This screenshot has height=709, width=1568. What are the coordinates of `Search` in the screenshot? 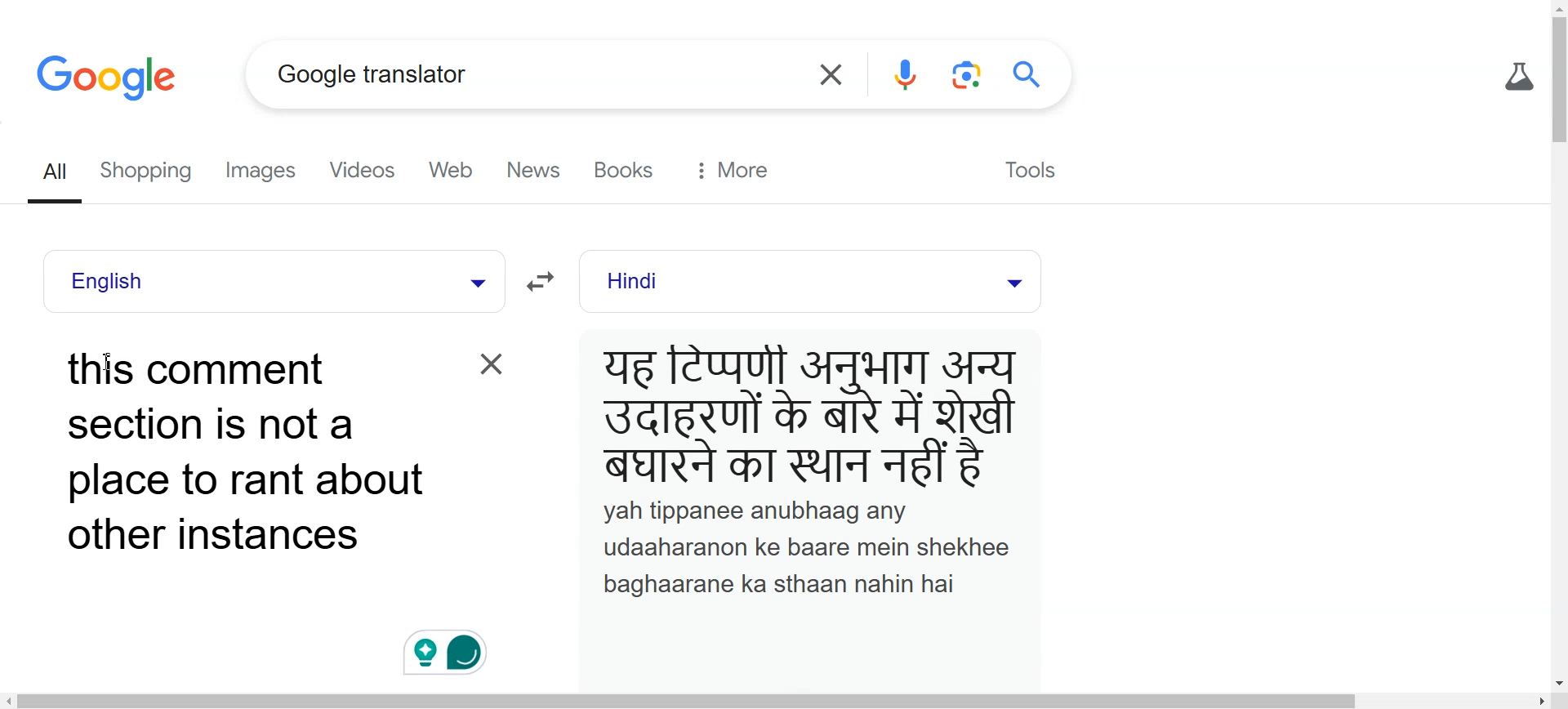 It's located at (1032, 74).